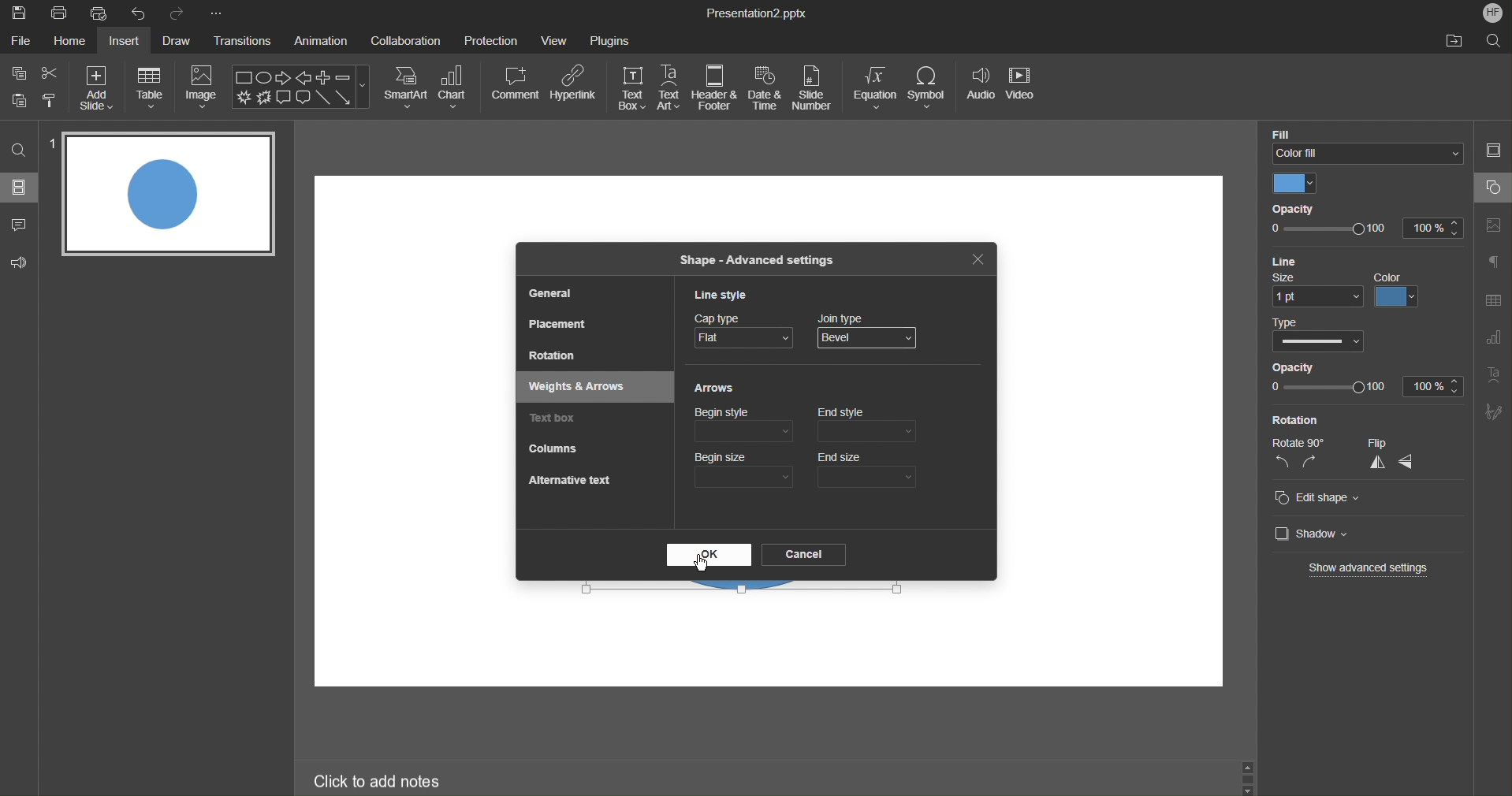  I want to click on Header & Footer, so click(715, 88).